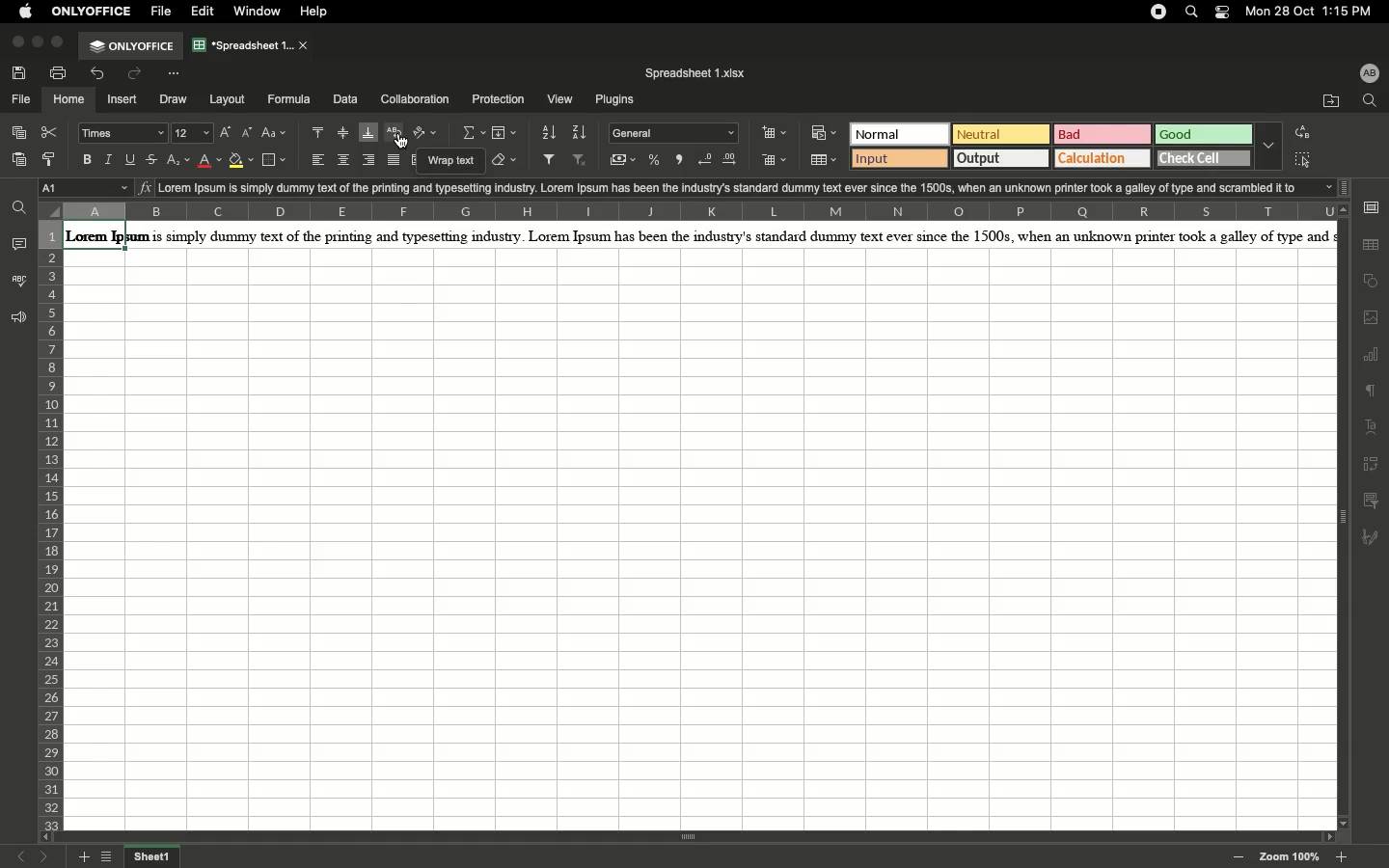 The image size is (1389, 868). What do you see at coordinates (261, 12) in the screenshot?
I see `Window` at bounding box center [261, 12].